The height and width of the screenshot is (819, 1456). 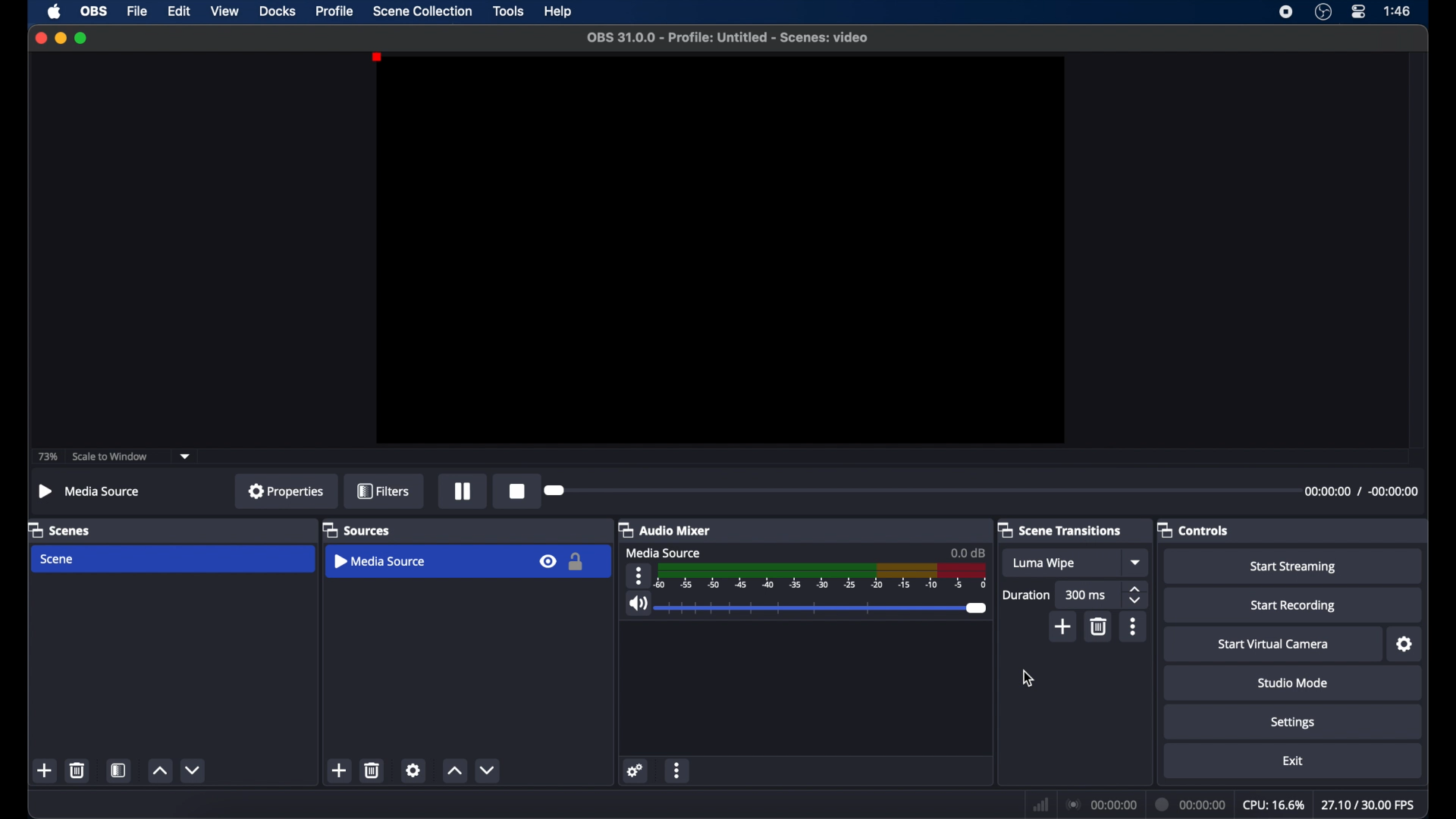 What do you see at coordinates (1063, 626) in the screenshot?
I see `add` at bounding box center [1063, 626].